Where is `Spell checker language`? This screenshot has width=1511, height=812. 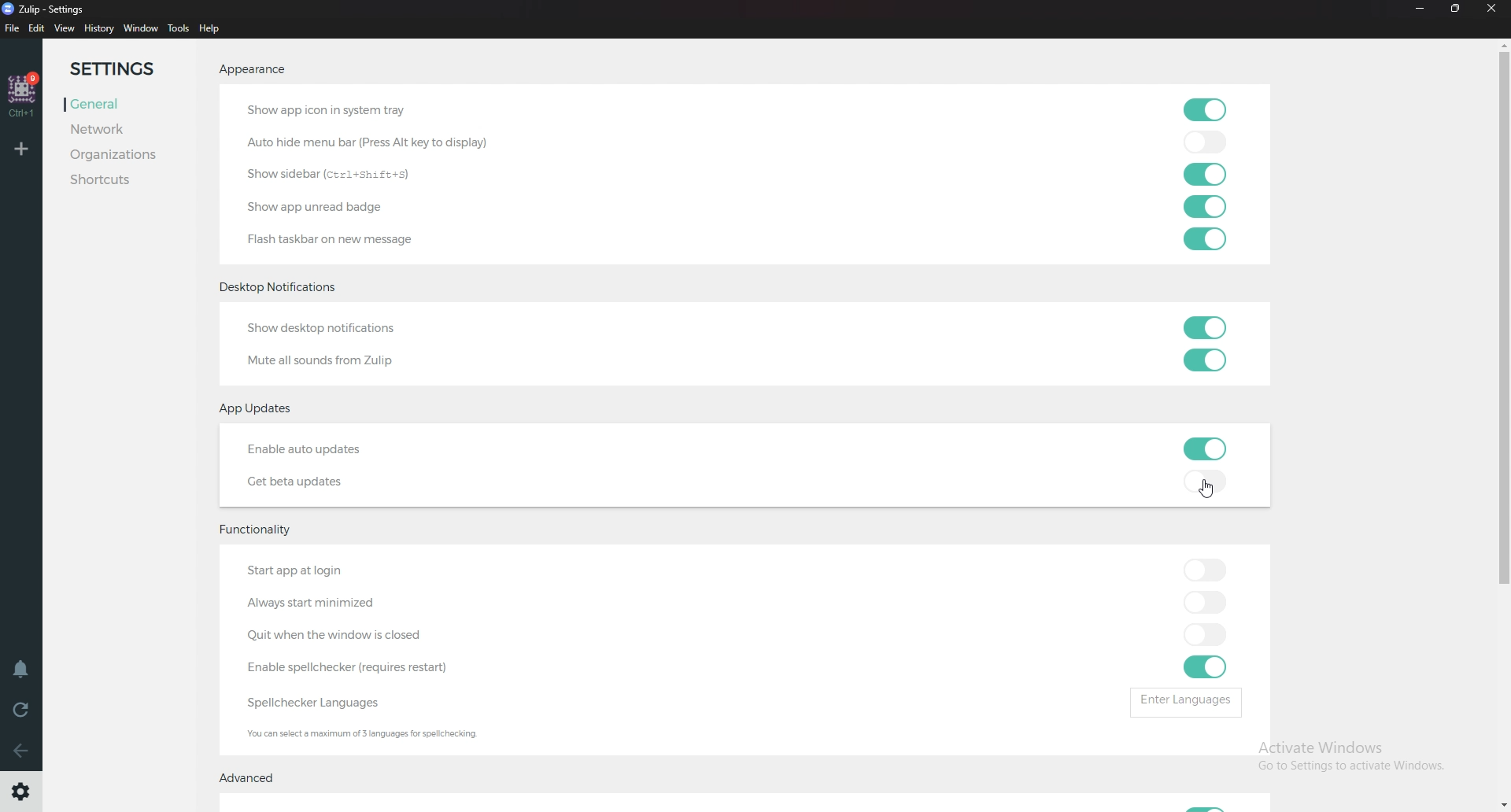 Spell checker language is located at coordinates (318, 706).